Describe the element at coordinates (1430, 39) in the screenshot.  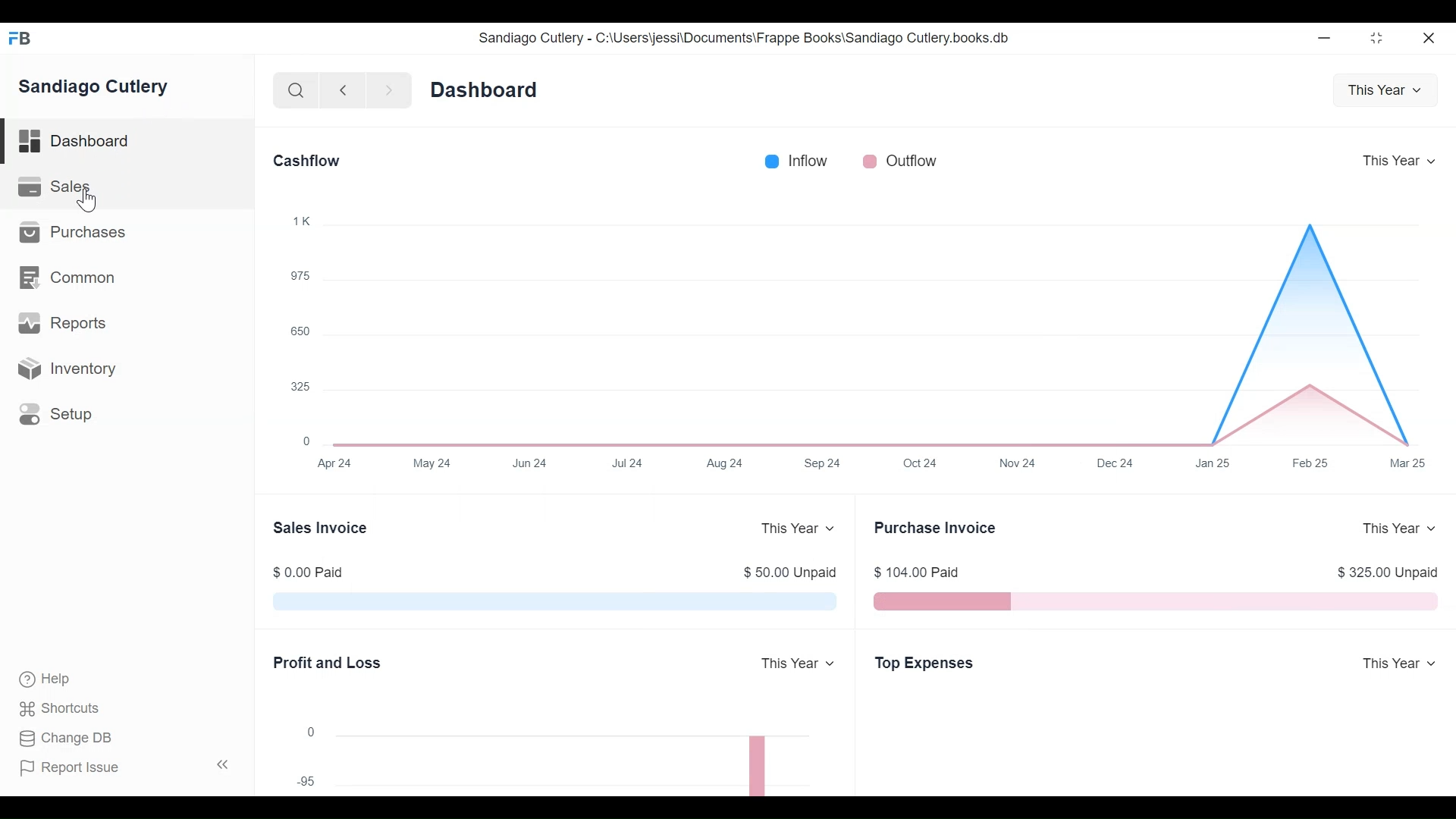
I see `close` at that location.